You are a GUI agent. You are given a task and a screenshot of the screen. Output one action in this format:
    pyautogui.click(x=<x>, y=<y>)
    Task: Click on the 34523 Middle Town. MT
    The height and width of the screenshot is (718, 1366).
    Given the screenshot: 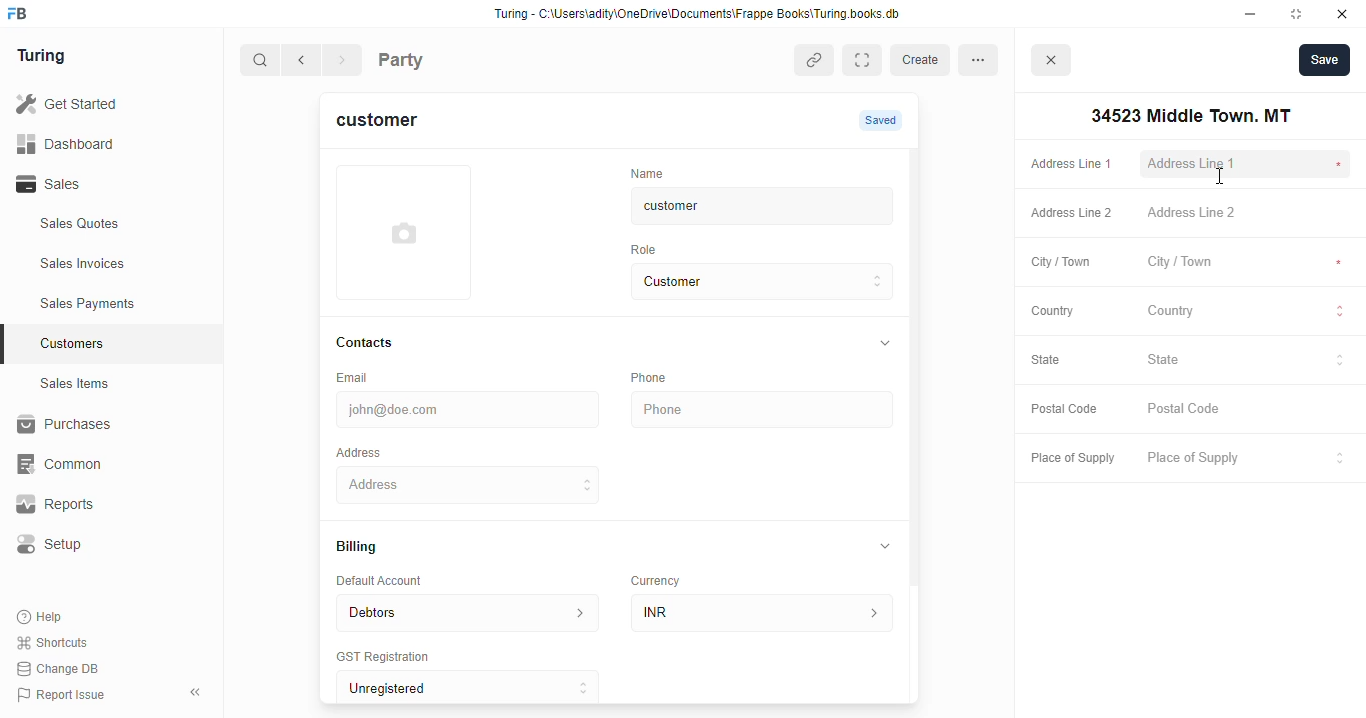 What is the action you would take?
    pyautogui.click(x=471, y=484)
    